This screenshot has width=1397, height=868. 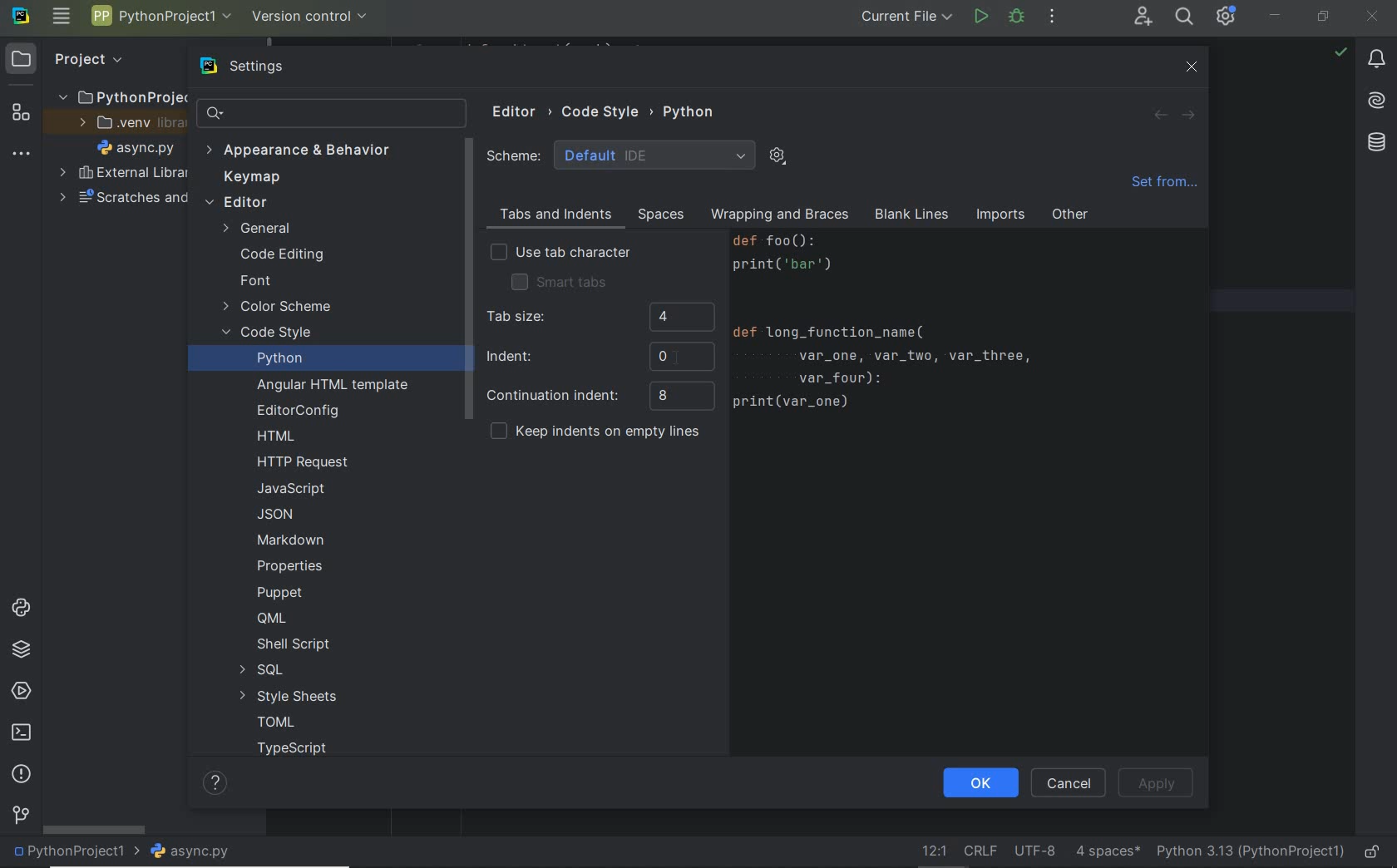 I want to click on MARKDOWN, so click(x=290, y=540).